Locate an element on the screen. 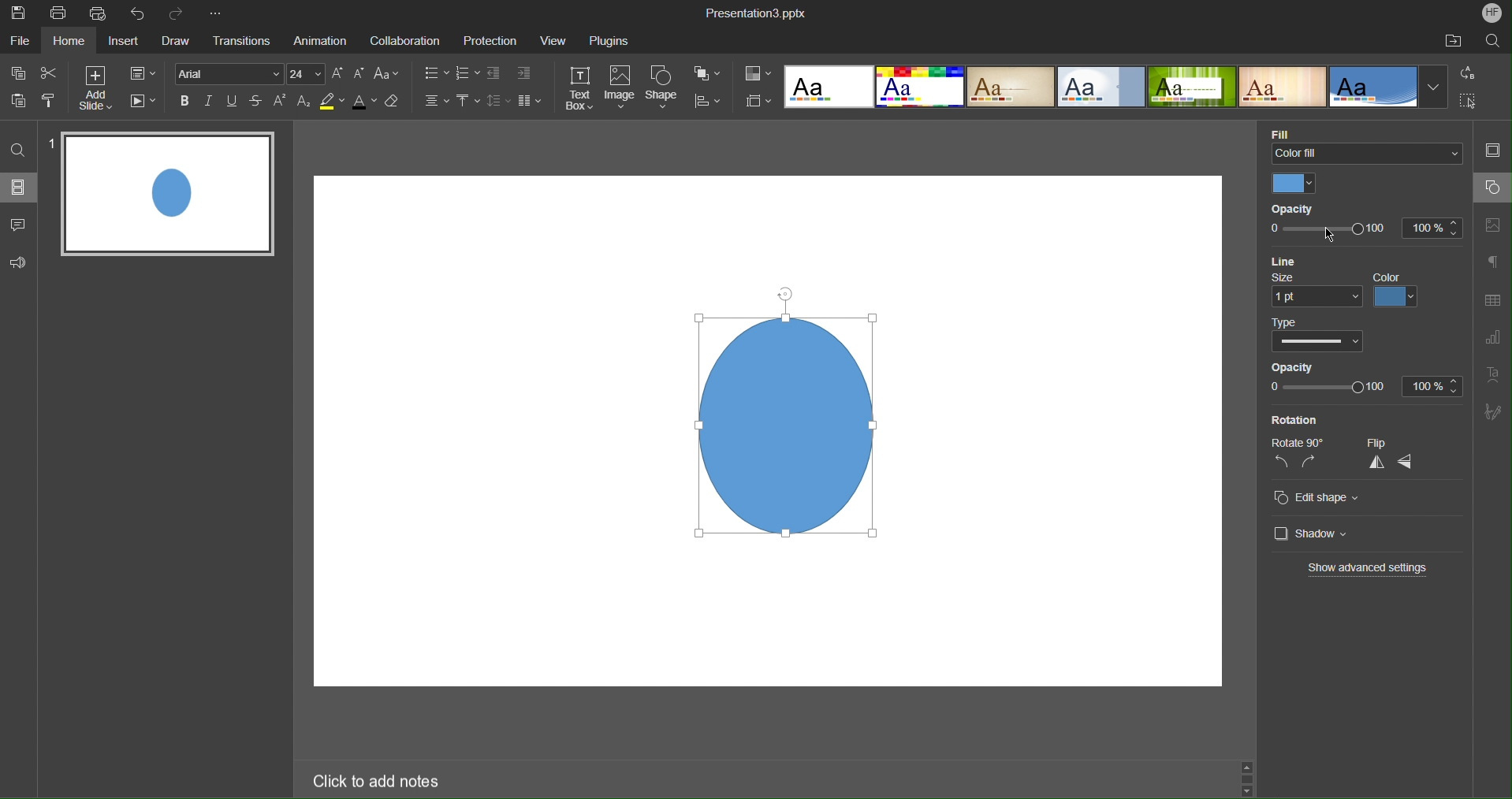 Image resolution: width=1512 pixels, height=799 pixels. View is located at coordinates (555, 40).